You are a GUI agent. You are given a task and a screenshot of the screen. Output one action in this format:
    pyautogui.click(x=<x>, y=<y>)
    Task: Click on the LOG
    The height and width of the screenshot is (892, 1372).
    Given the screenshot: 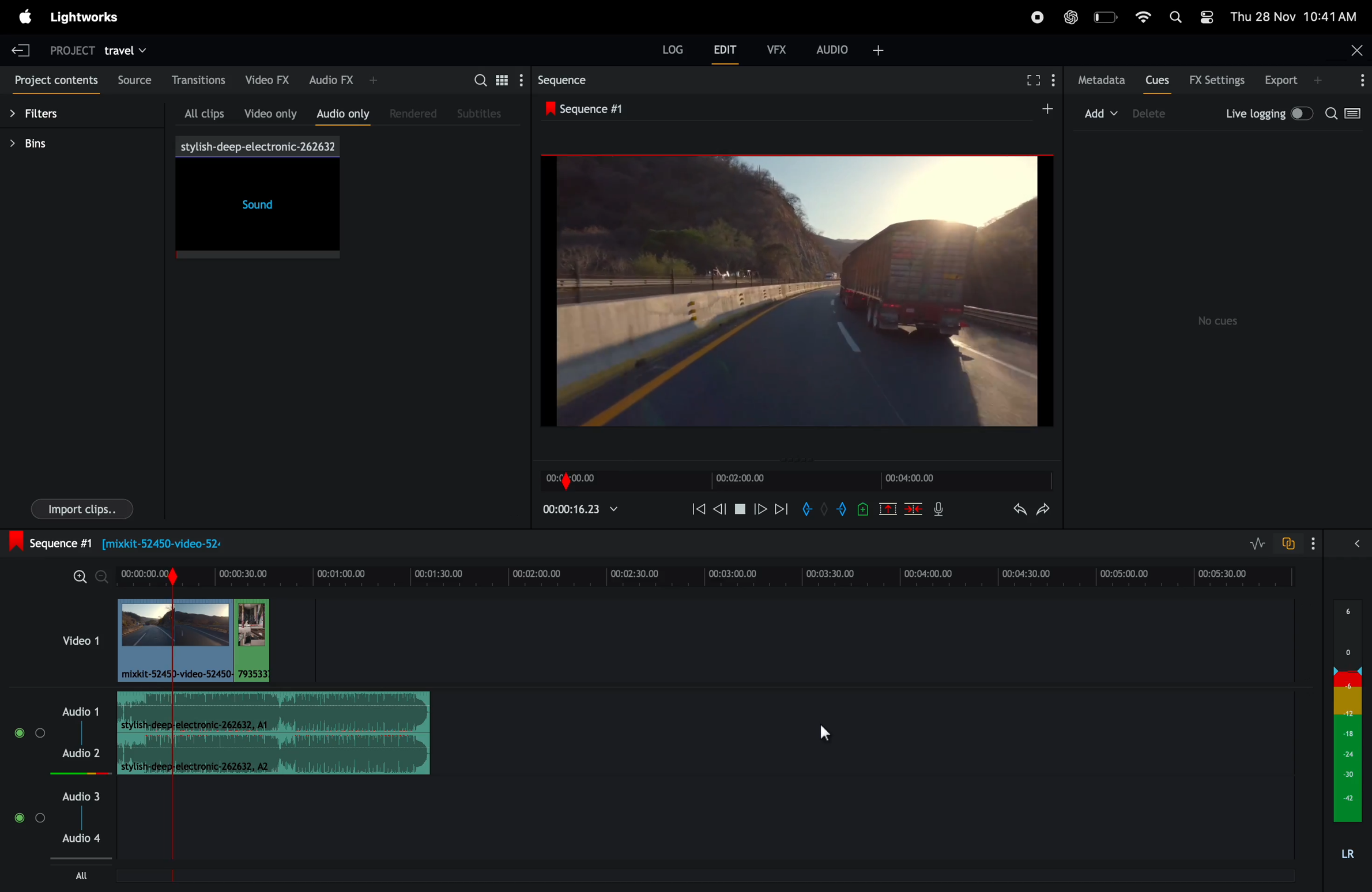 What is the action you would take?
    pyautogui.click(x=673, y=49)
    